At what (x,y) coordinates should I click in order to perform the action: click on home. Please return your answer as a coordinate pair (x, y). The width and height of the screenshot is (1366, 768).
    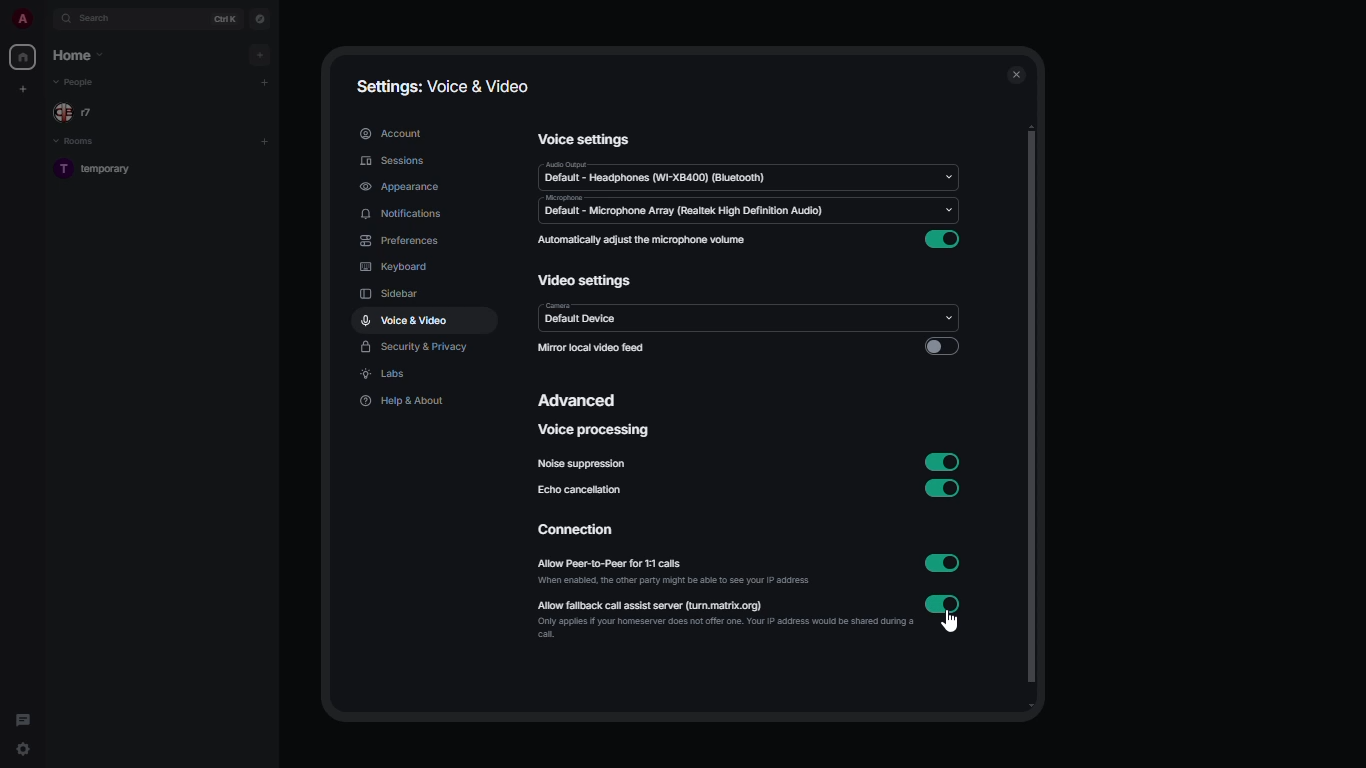
    Looking at the image, I should click on (25, 57).